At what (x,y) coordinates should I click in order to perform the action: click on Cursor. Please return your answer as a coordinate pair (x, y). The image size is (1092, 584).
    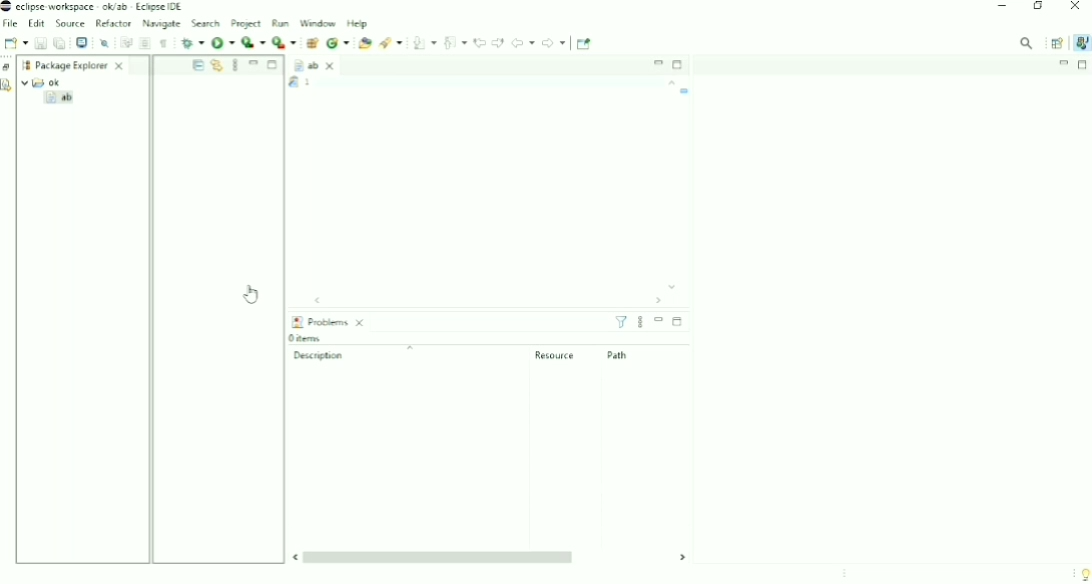
    Looking at the image, I should click on (248, 295).